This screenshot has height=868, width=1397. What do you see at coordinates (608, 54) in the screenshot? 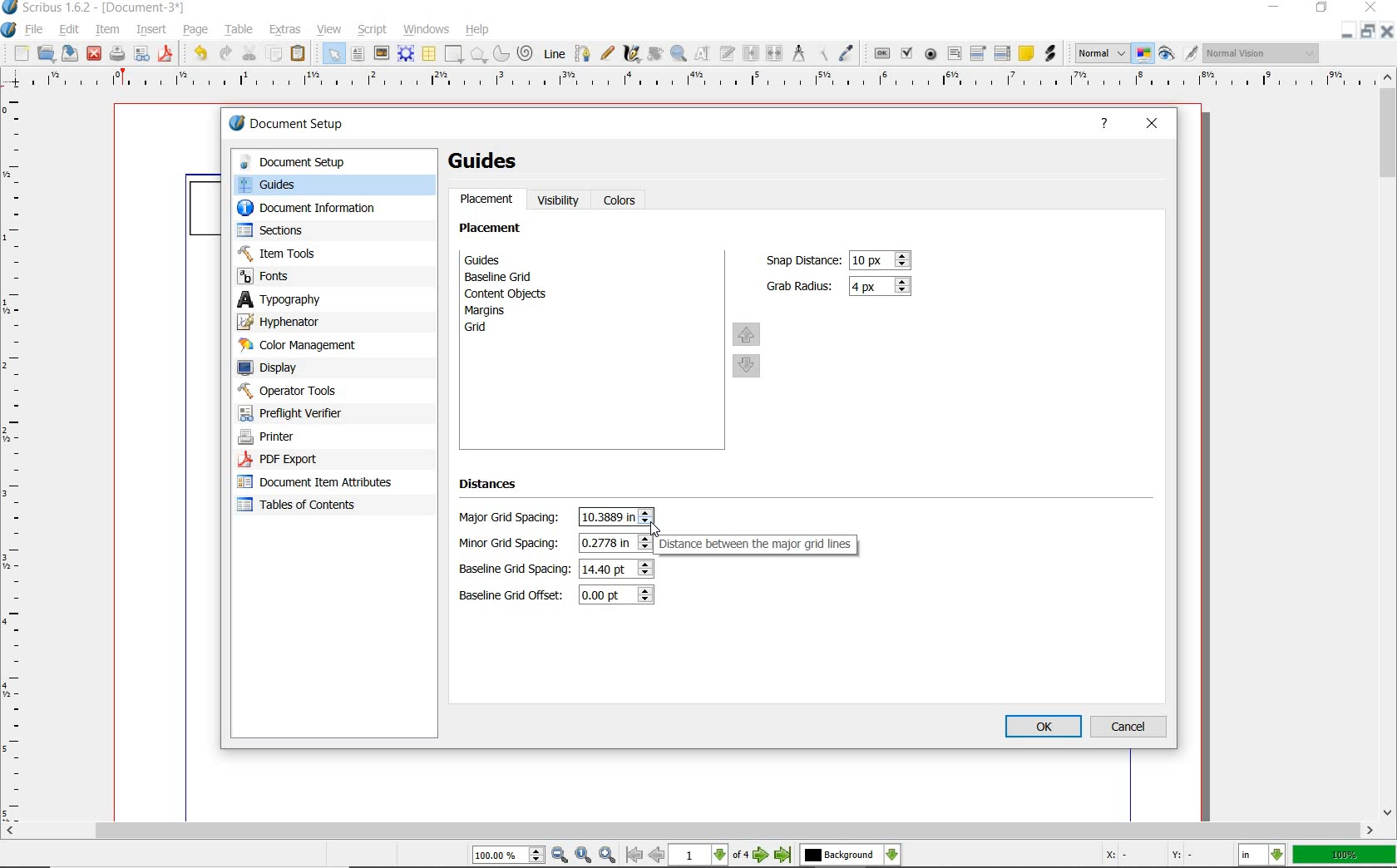
I see `freehand line` at bounding box center [608, 54].